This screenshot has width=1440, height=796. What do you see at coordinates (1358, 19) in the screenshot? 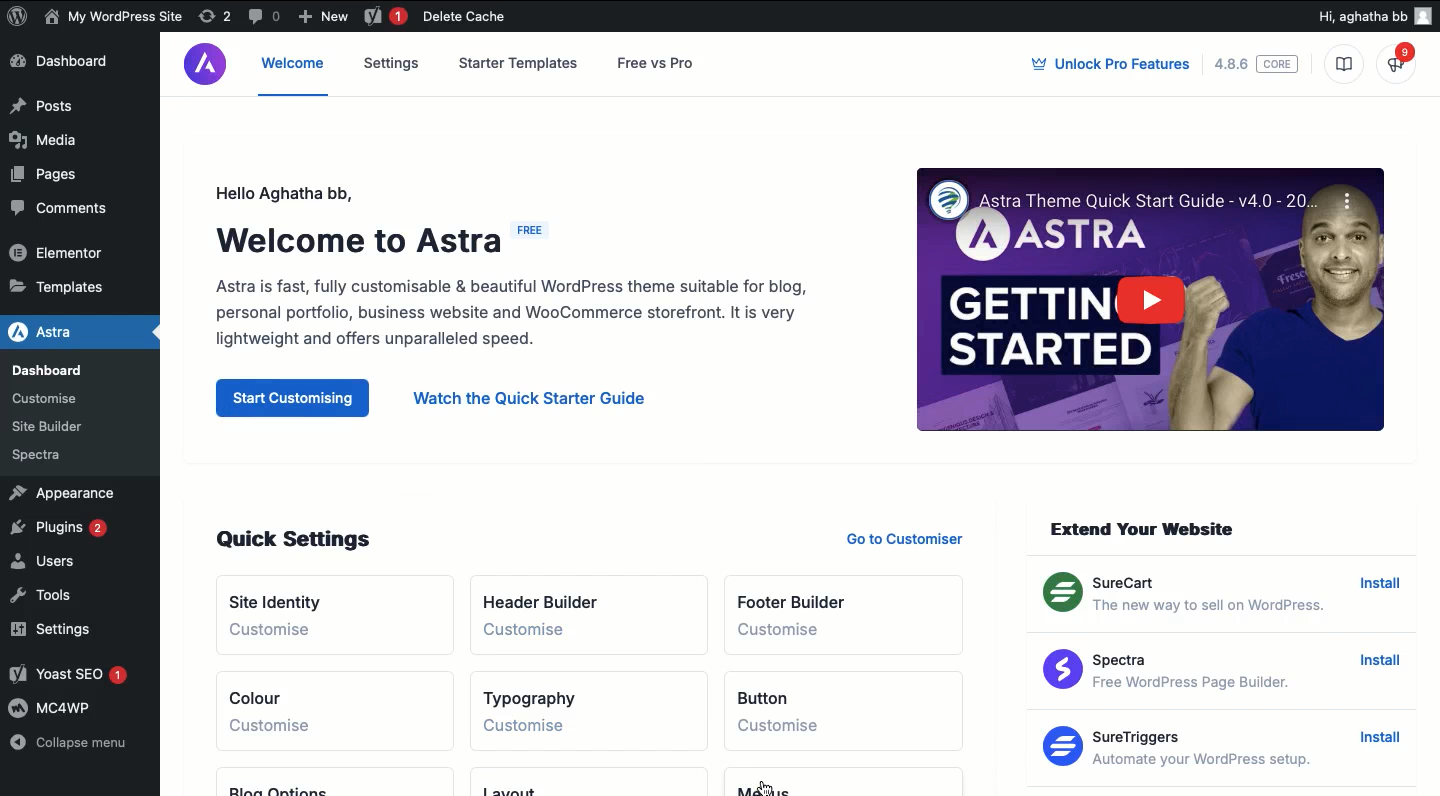
I see `Hi, agatha bb` at bounding box center [1358, 19].